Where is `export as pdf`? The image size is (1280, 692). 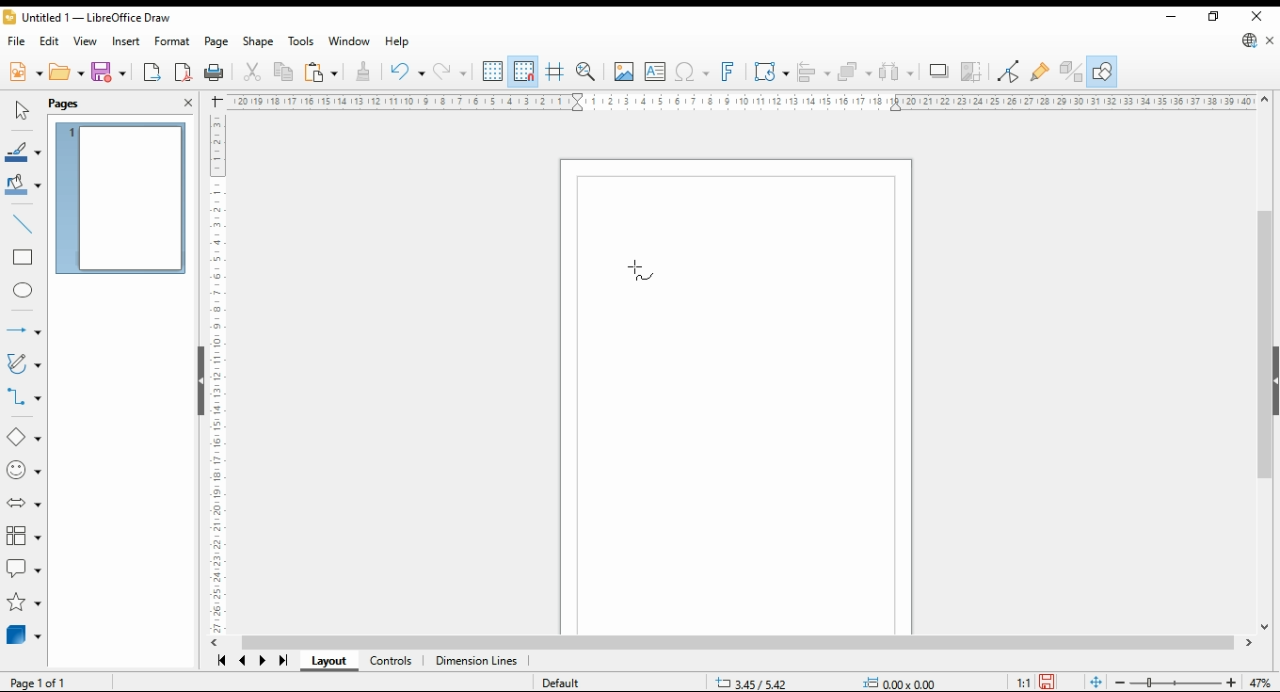
export as pdf is located at coordinates (183, 73).